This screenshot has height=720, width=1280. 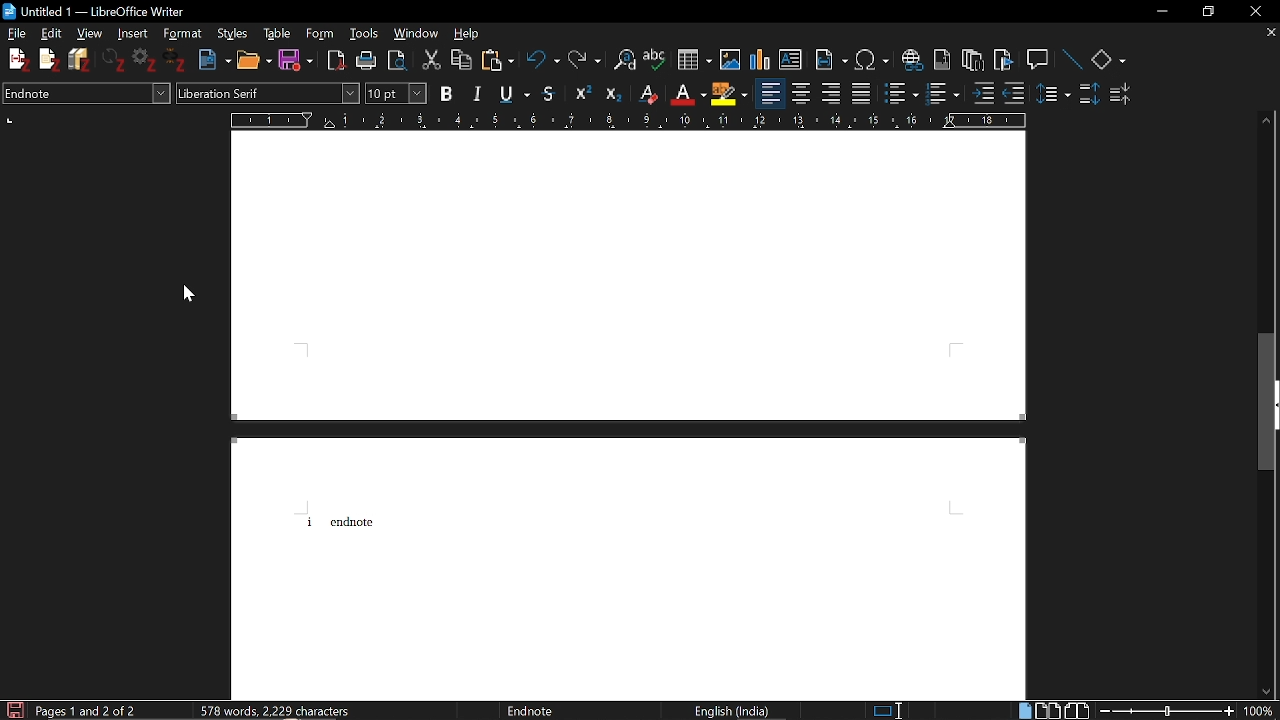 What do you see at coordinates (214, 61) in the screenshot?
I see `New` at bounding box center [214, 61].